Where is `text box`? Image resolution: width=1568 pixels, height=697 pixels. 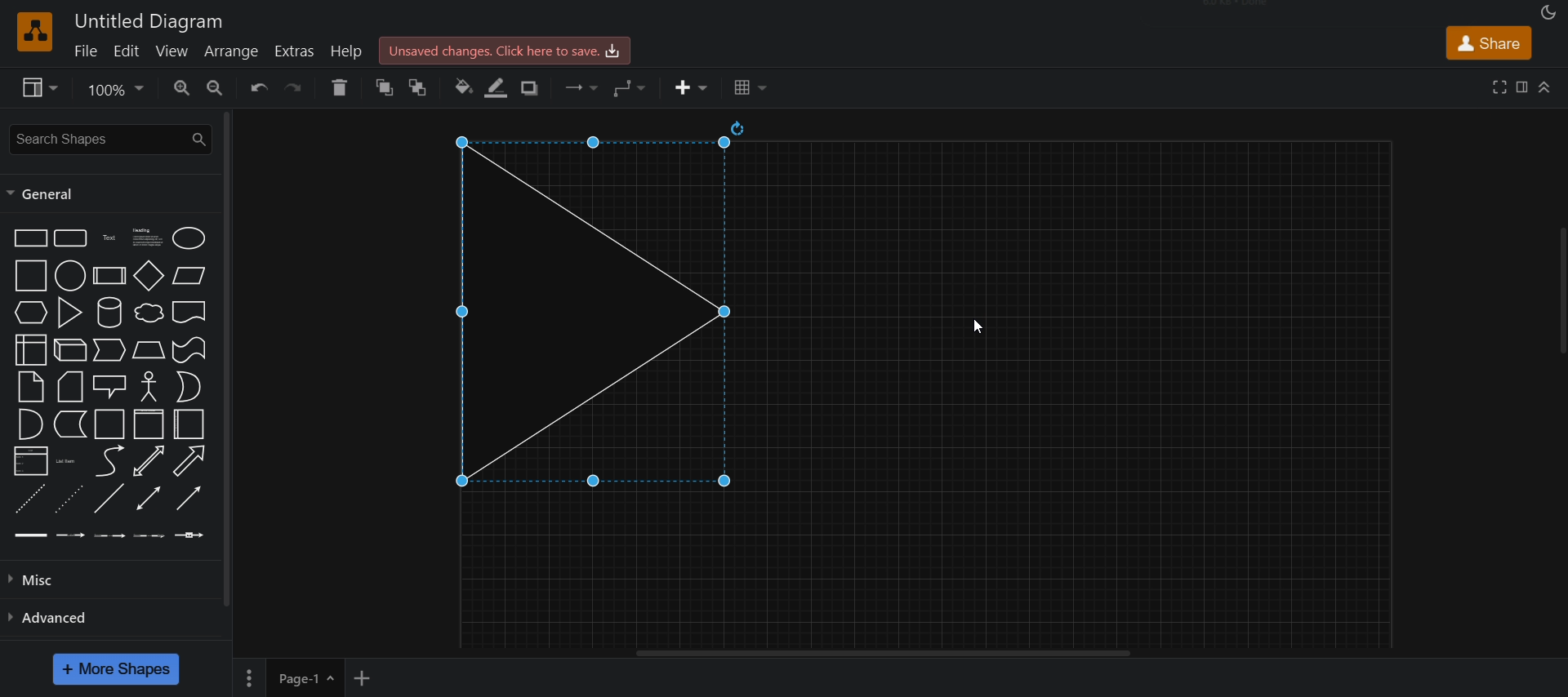 text box is located at coordinates (148, 237).